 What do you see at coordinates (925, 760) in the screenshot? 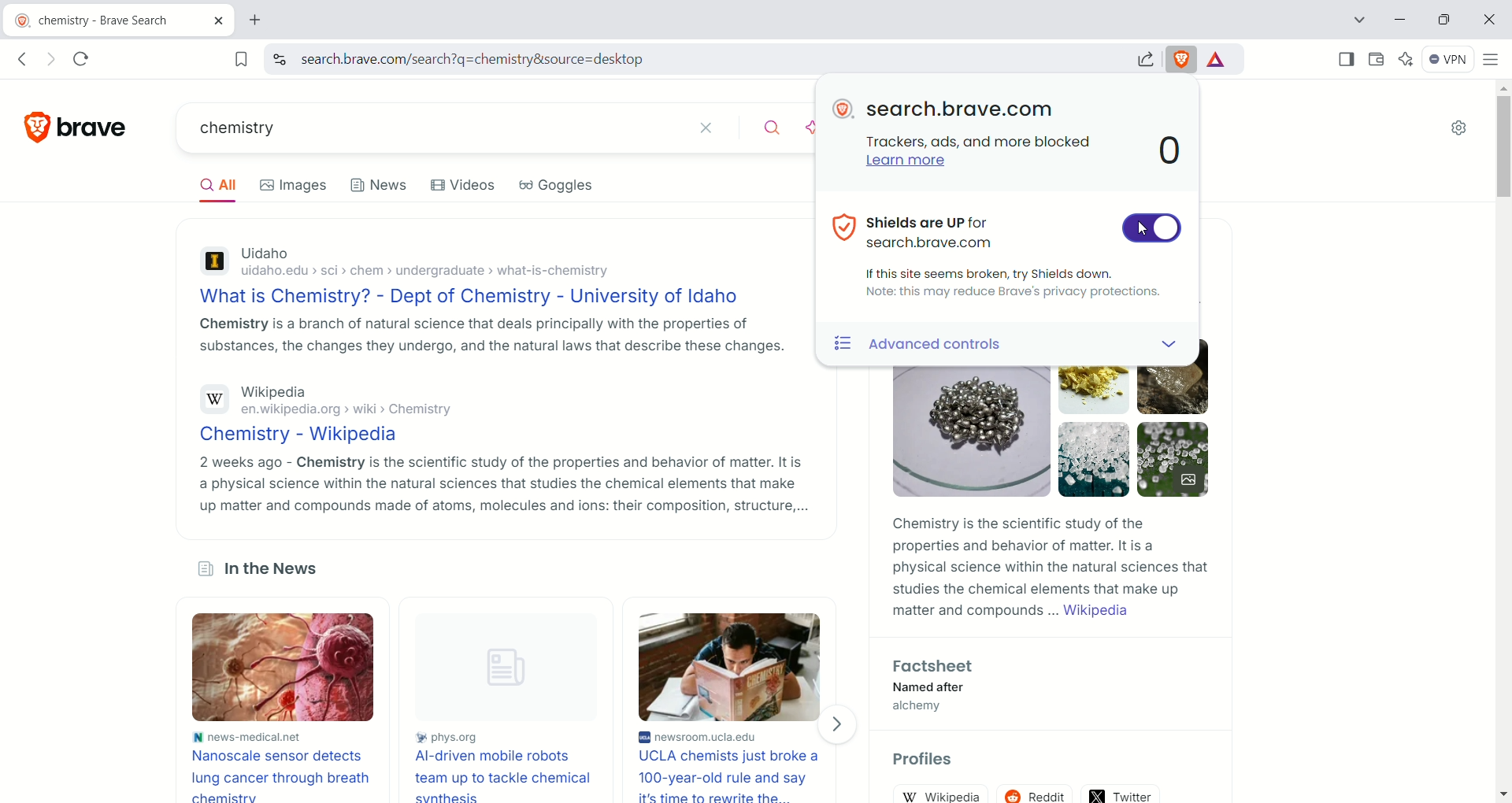
I see `Profiles` at bounding box center [925, 760].